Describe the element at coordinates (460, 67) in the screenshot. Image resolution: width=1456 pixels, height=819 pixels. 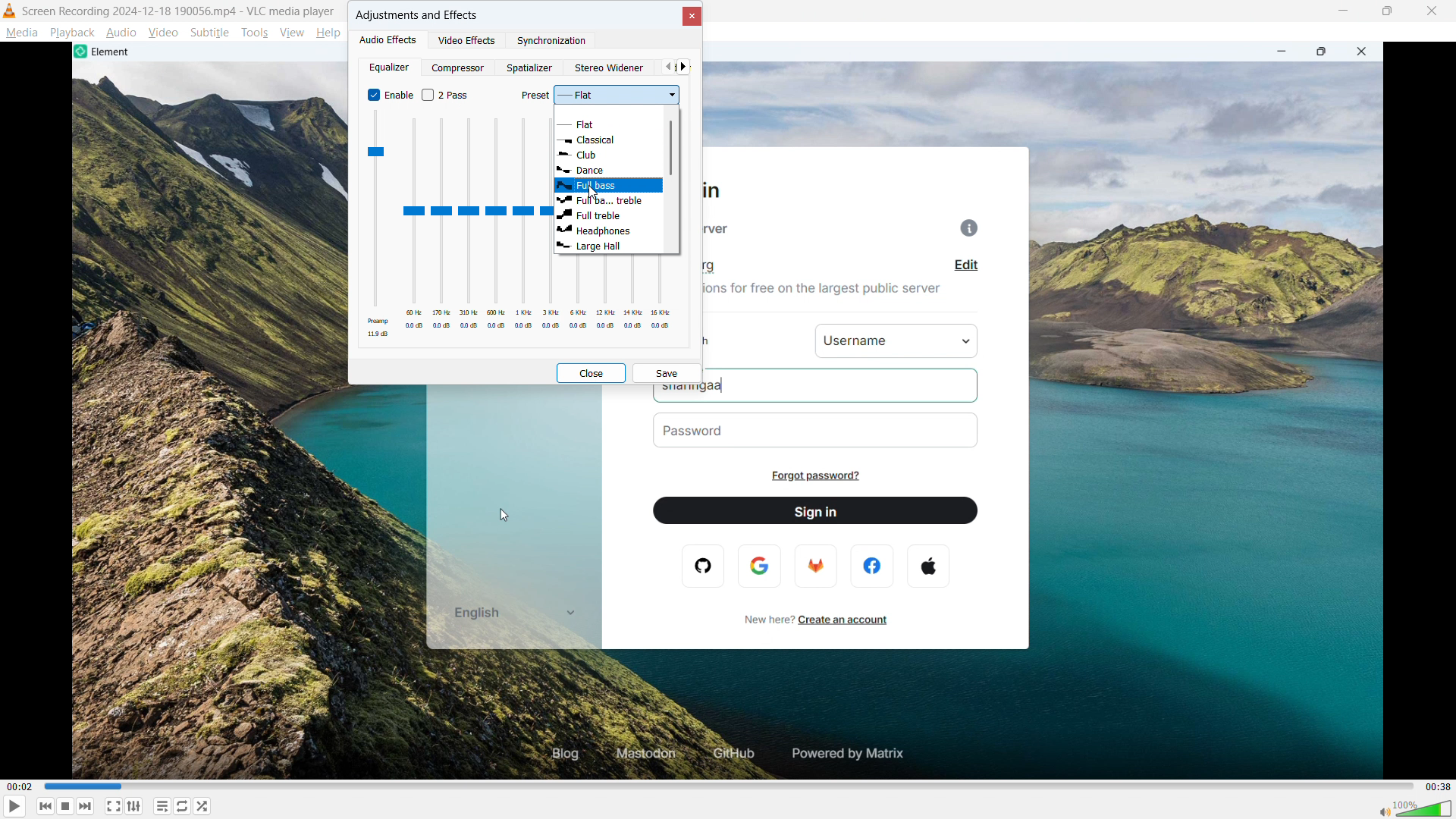
I see `Compressor ` at that location.